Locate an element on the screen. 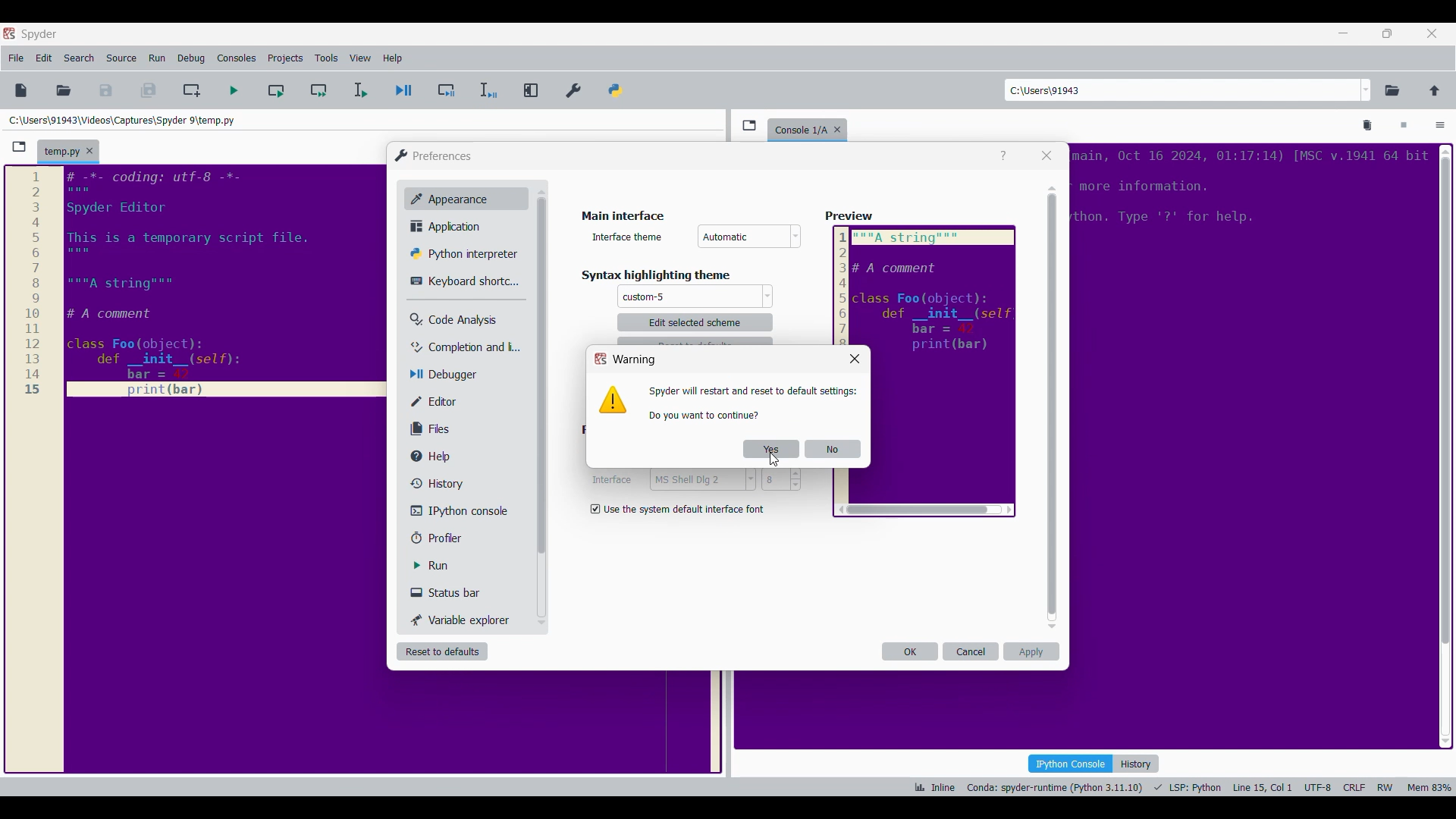 This screenshot has height=819, width=1456. Maximize current pane is located at coordinates (532, 90).